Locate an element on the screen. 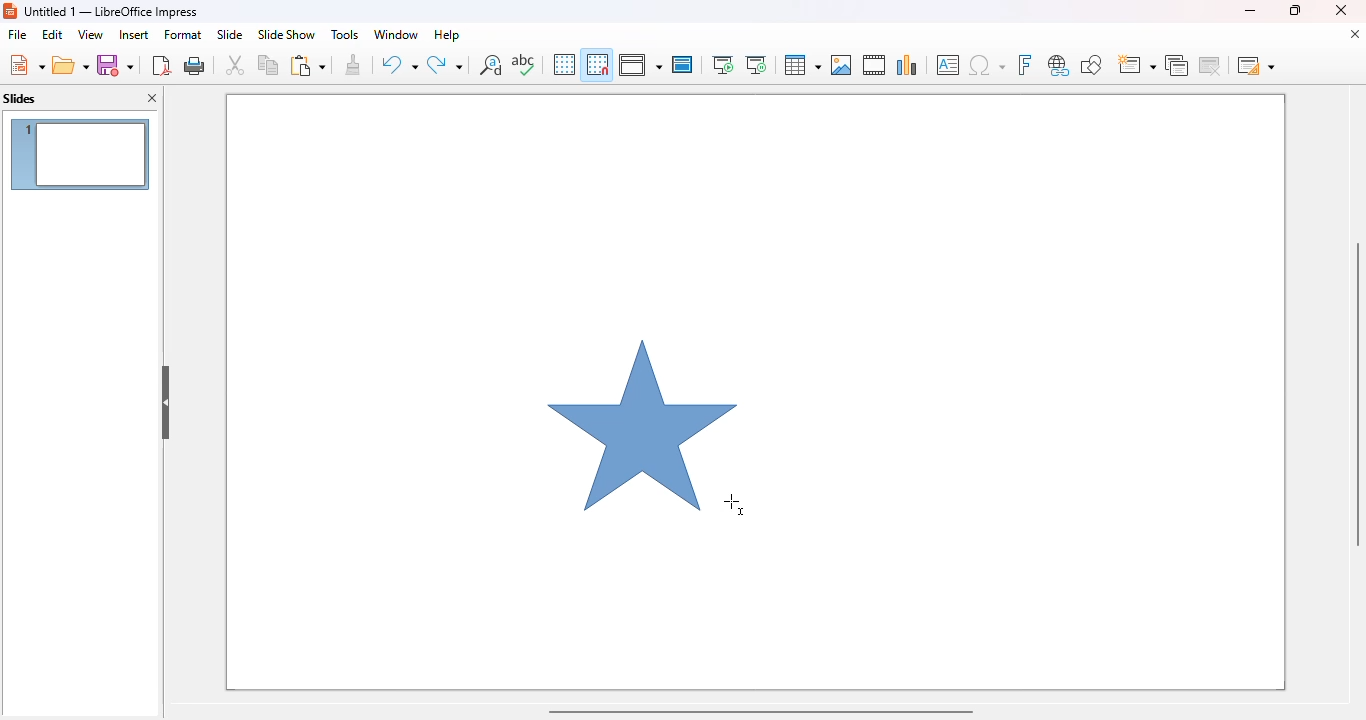 The width and height of the screenshot is (1366, 720). tools is located at coordinates (344, 34).